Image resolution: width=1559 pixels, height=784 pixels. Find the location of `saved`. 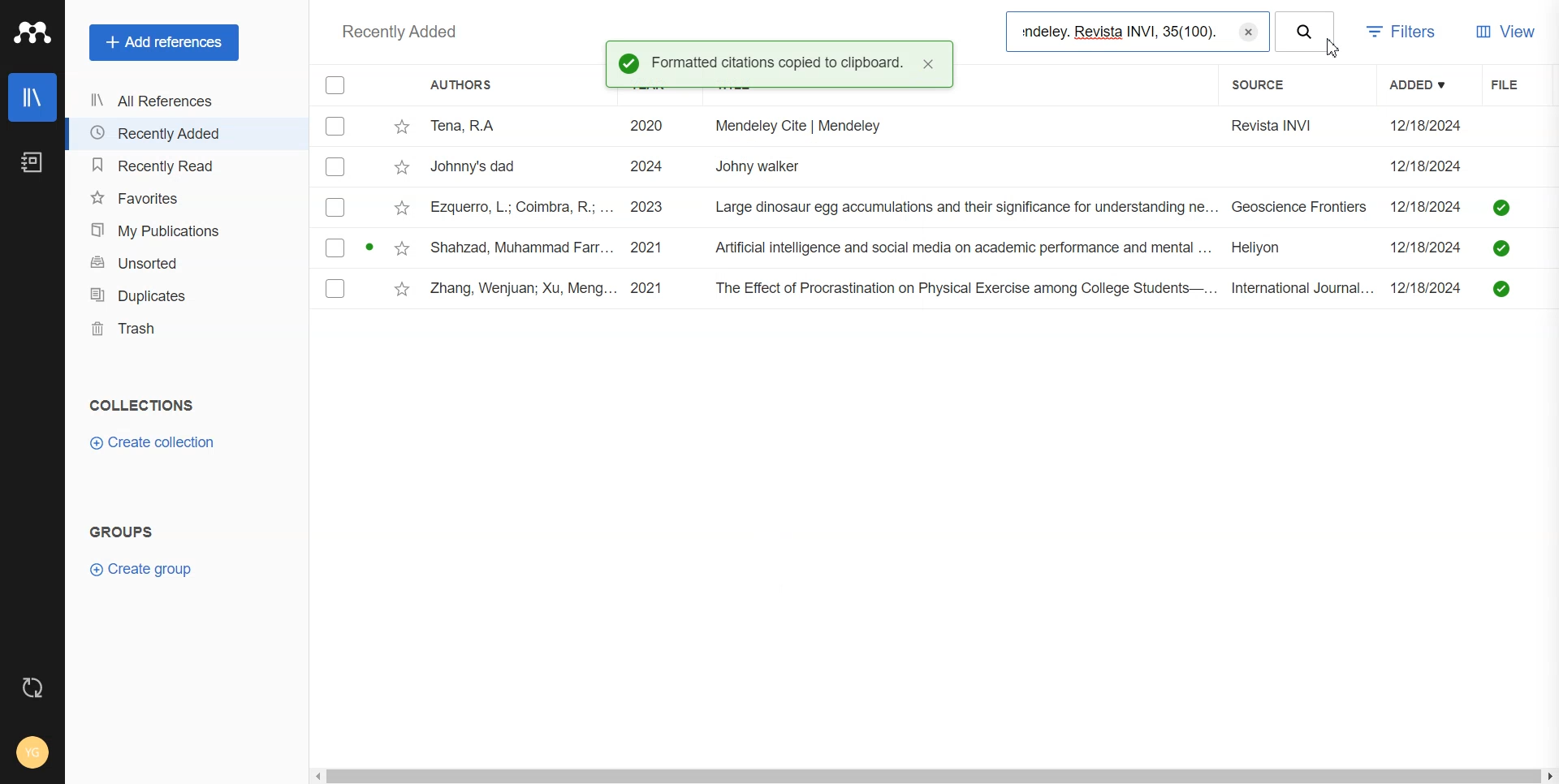

saved is located at coordinates (1502, 207).